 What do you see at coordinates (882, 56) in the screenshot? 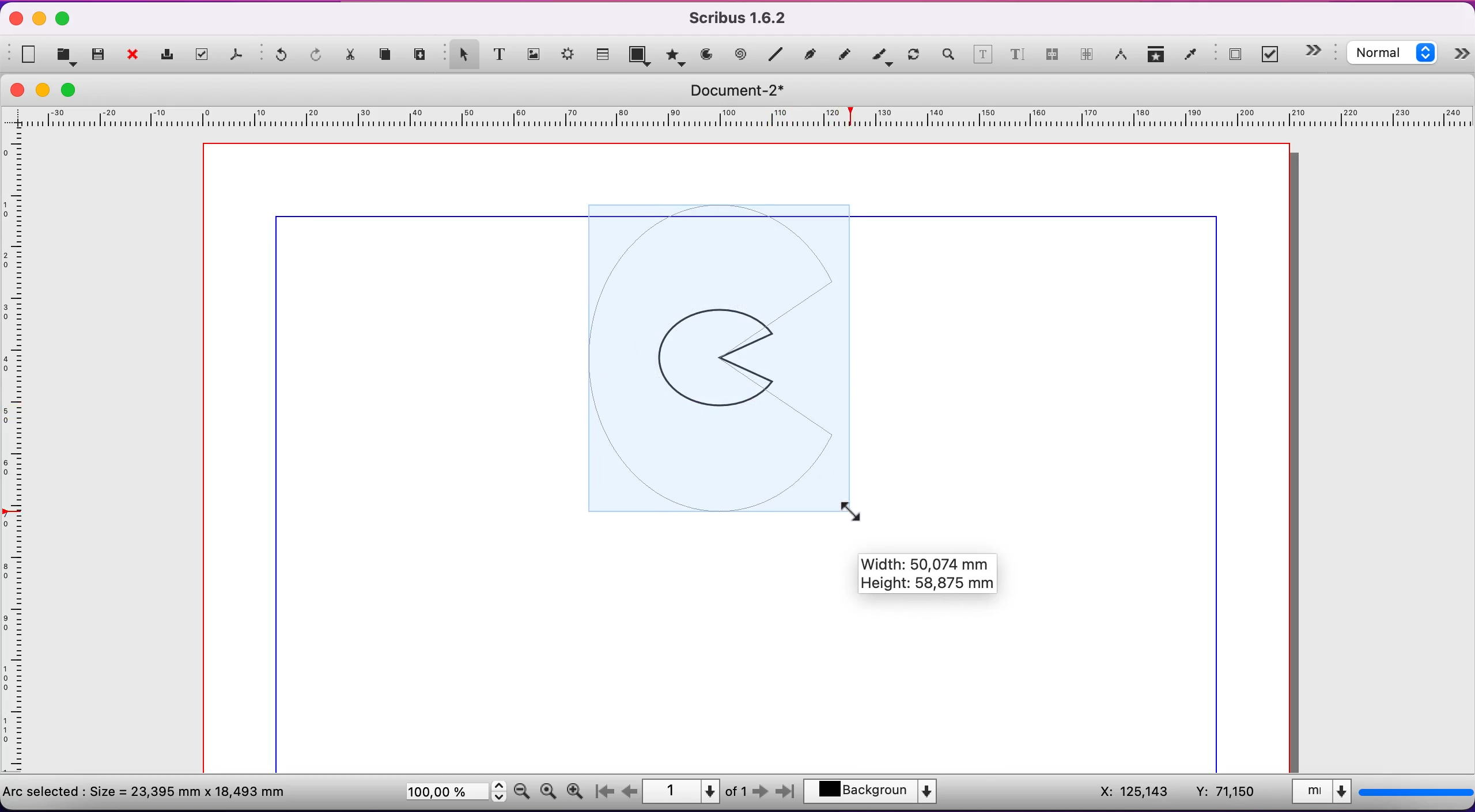
I see `calligraphic line` at bounding box center [882, 56].